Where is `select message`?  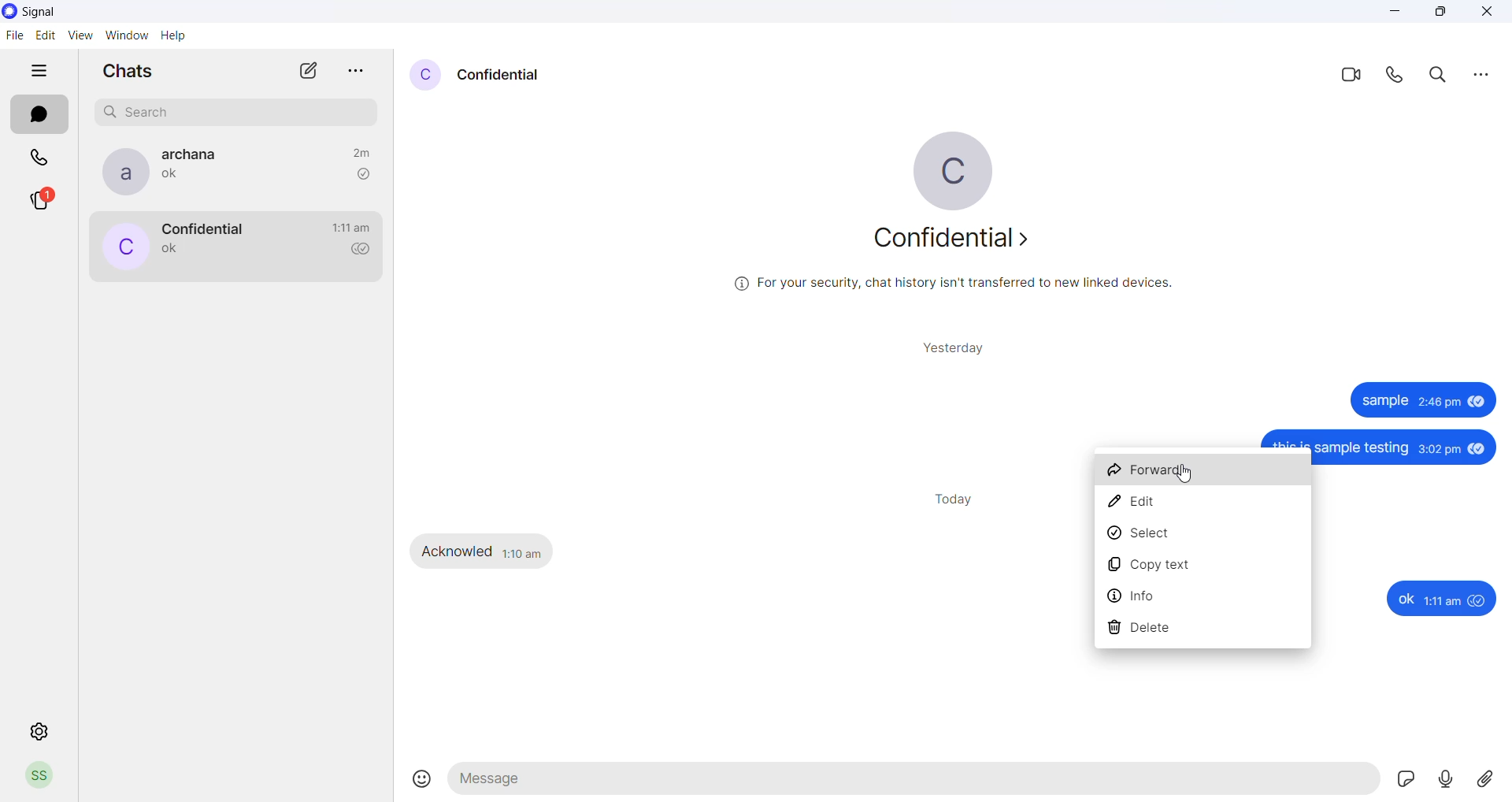
select message is located at coordinates (1206, 537).